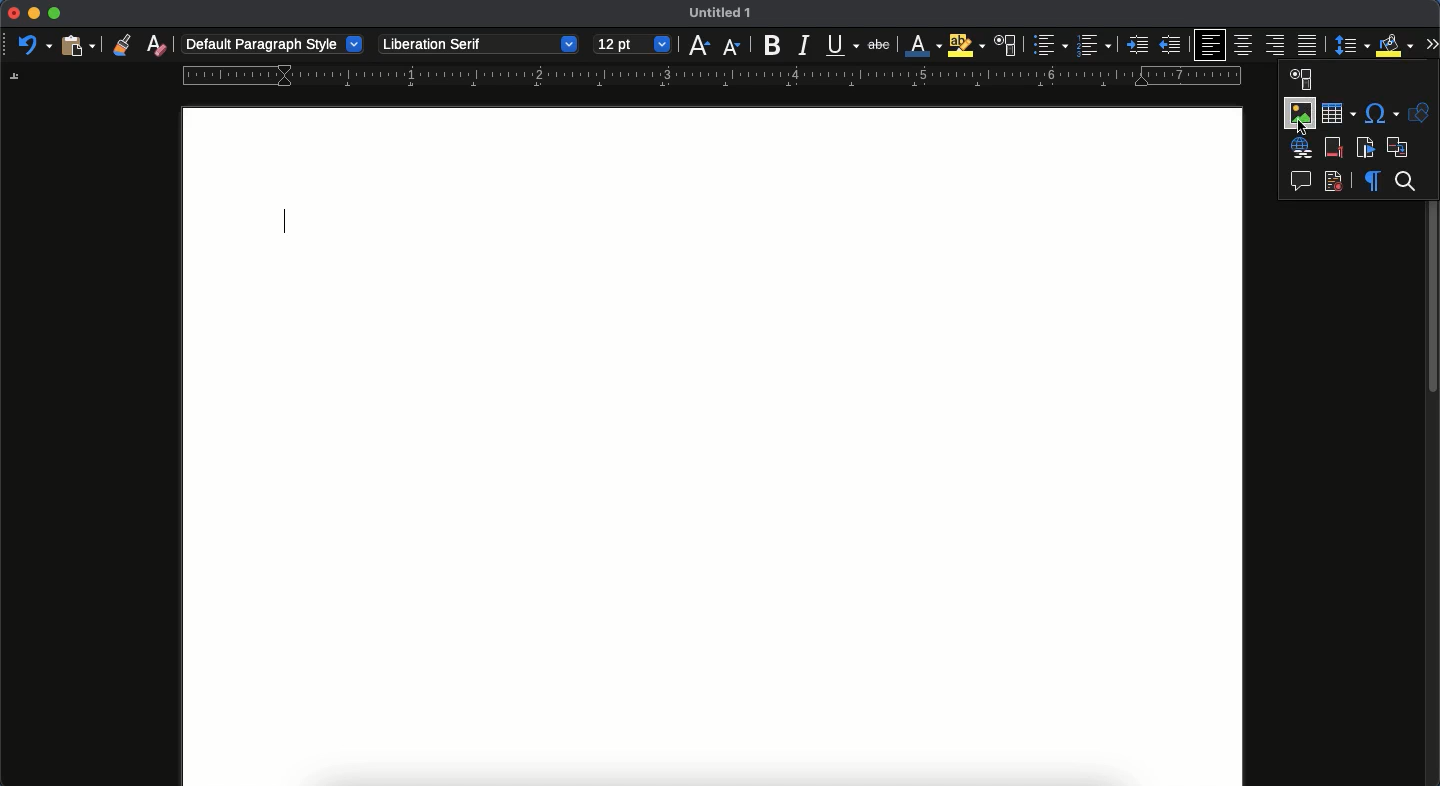 The height and width of the screenshot is (786, 1440). Describe the element at coordinates (1348, 45) in the screenshot. I see `paragraph spacing` at that location.